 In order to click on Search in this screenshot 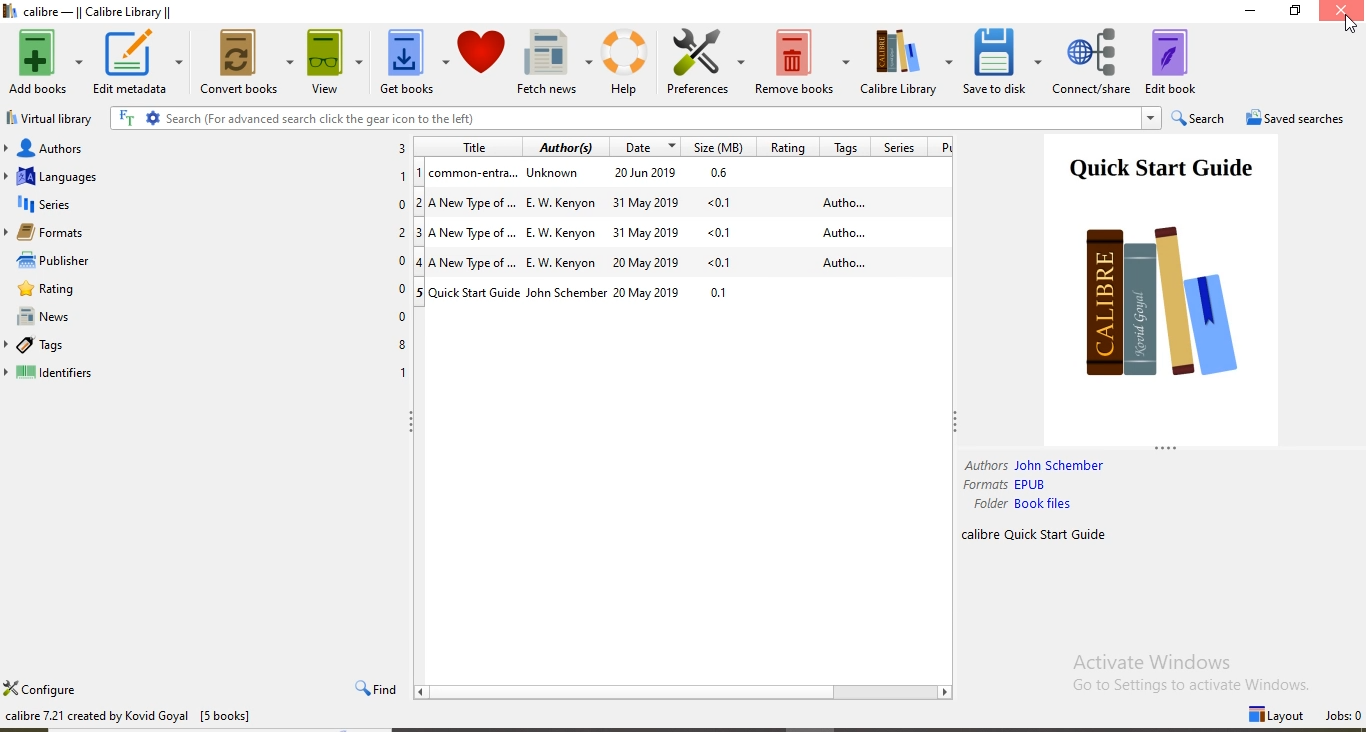, I will do `click(1201, 120)`.